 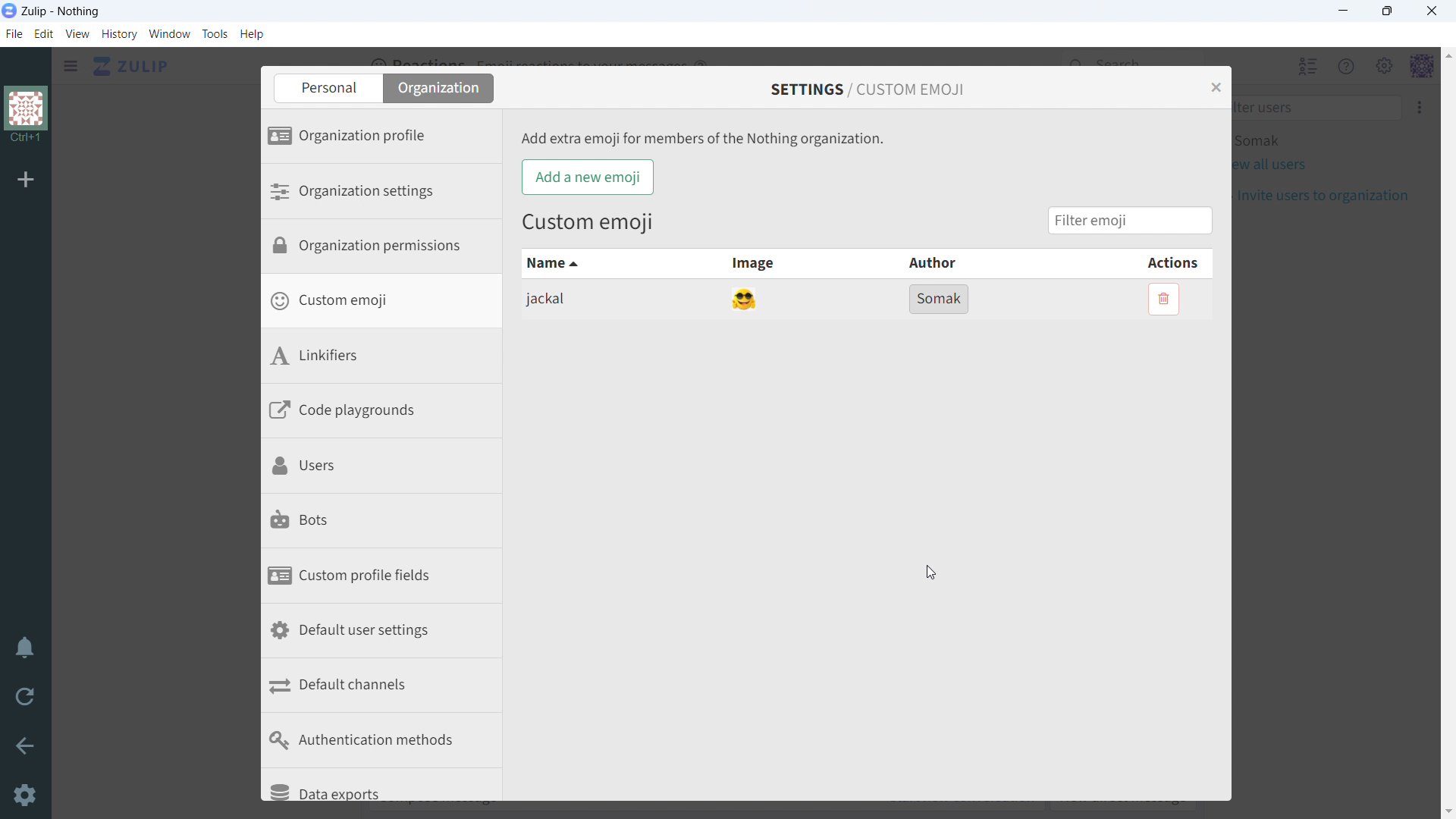 What do you see at coordinates (387, 192) in the screenshot?
I see `organization settings` at bounding box center [387, 192].